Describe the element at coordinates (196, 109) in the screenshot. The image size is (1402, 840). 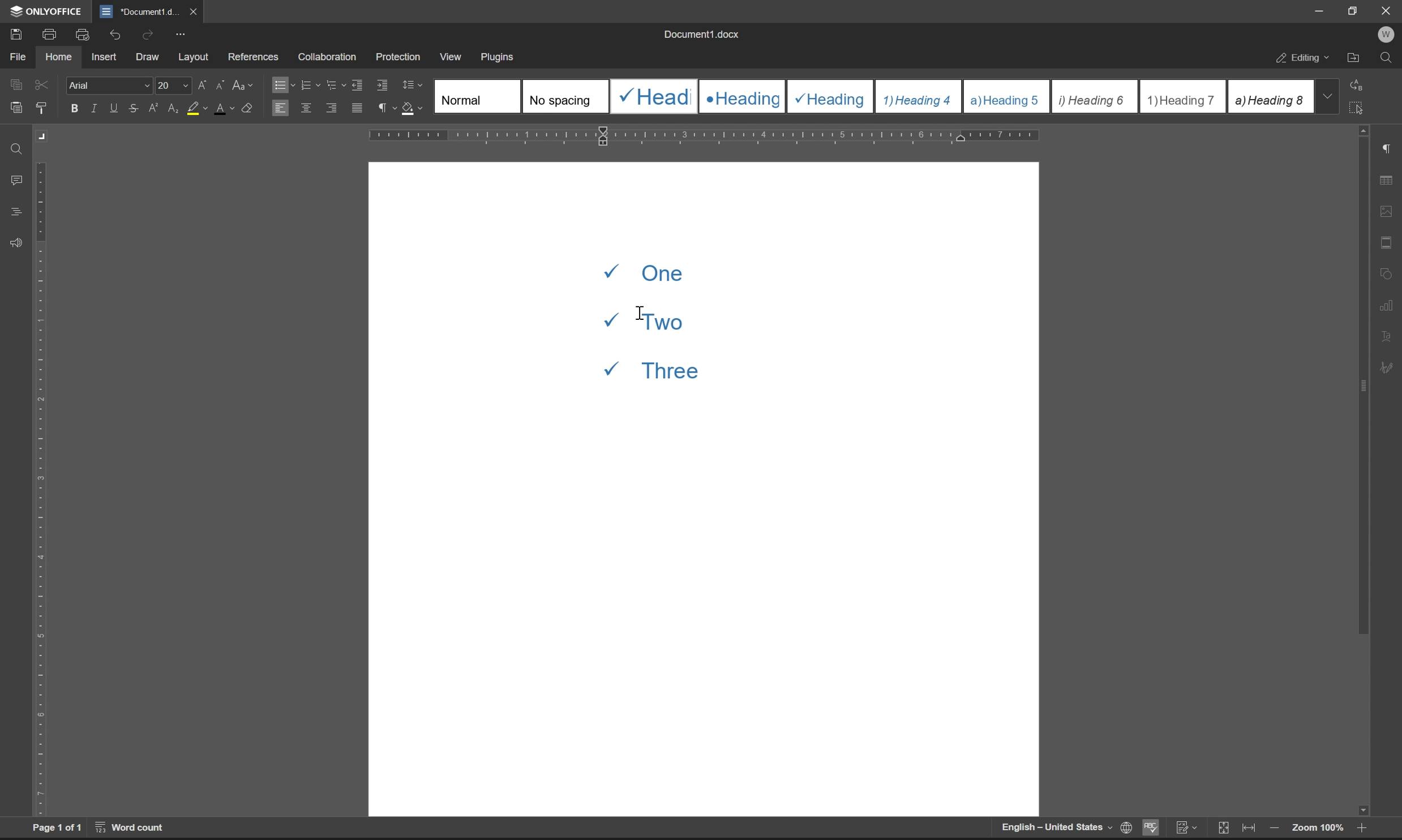
I see `background color` at that location.